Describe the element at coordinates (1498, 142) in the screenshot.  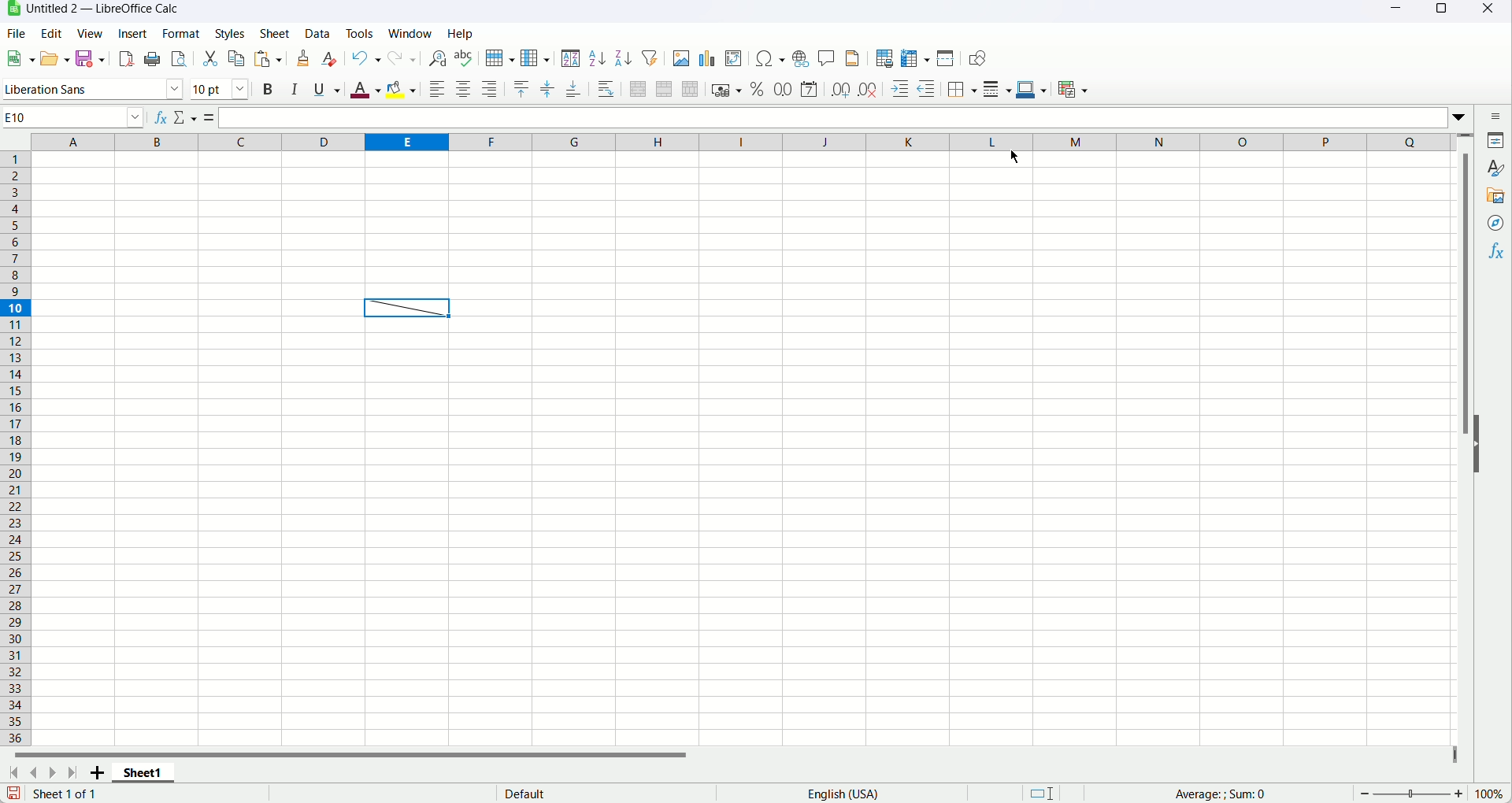
I see `Propertes` at that location.